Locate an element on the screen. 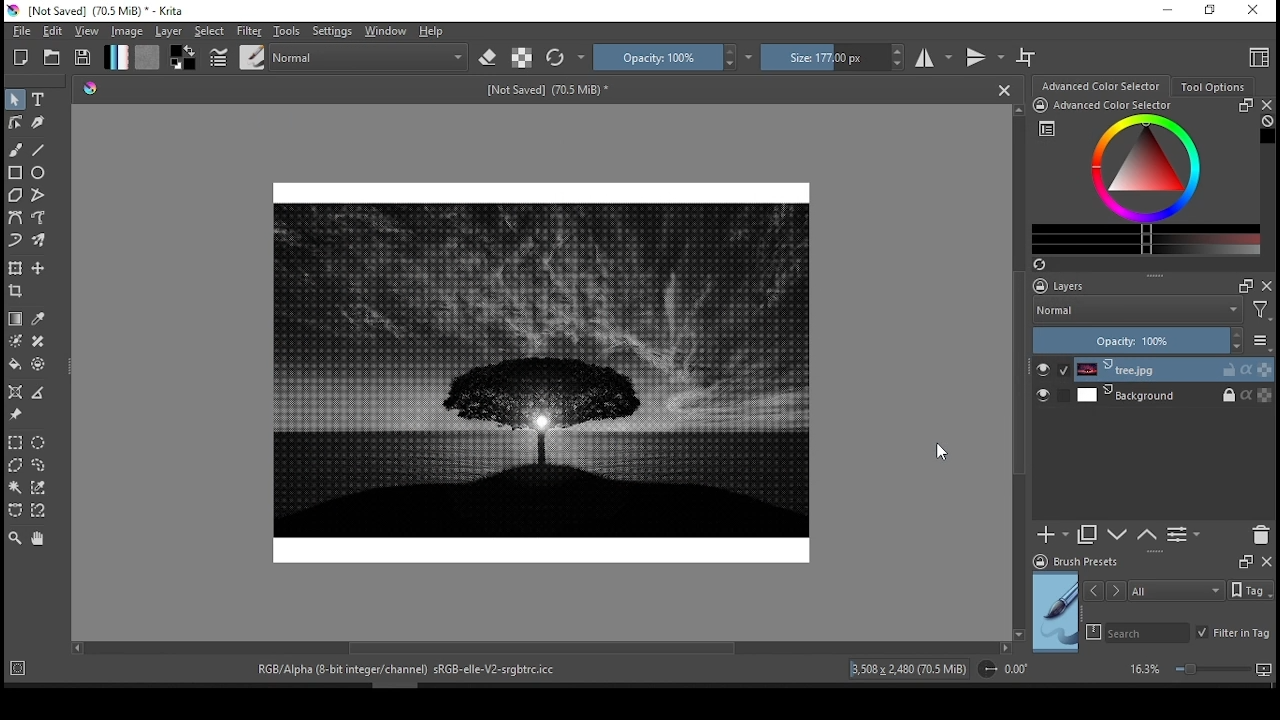 This screenshot has width=1280, height=720. text tool is located at coordinates (40, 99).